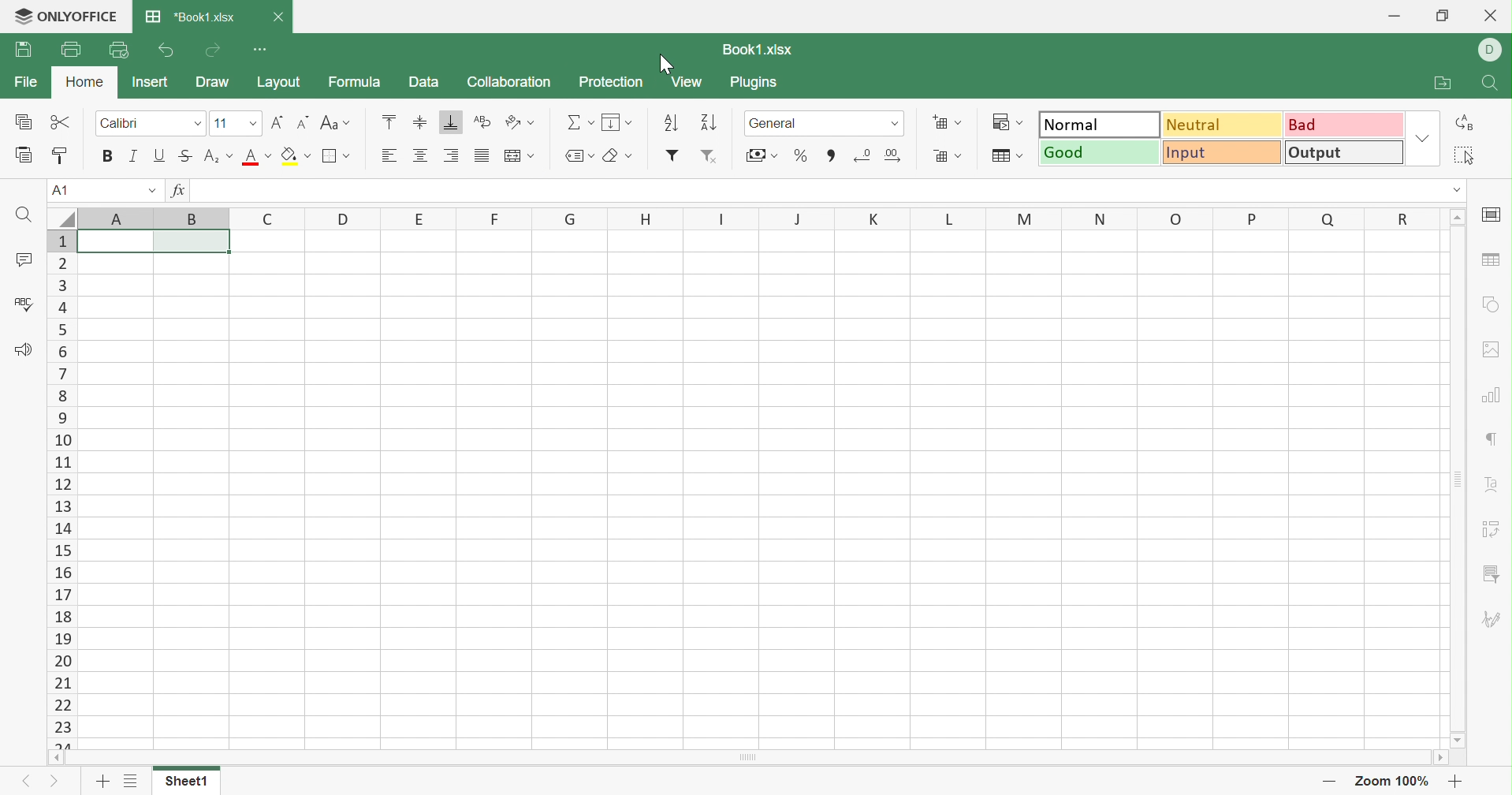 The image size is (1512, 795). Describe the element at coordinates (217, 157) in the screenshot. I see `Superscript / Subscript` at that location.